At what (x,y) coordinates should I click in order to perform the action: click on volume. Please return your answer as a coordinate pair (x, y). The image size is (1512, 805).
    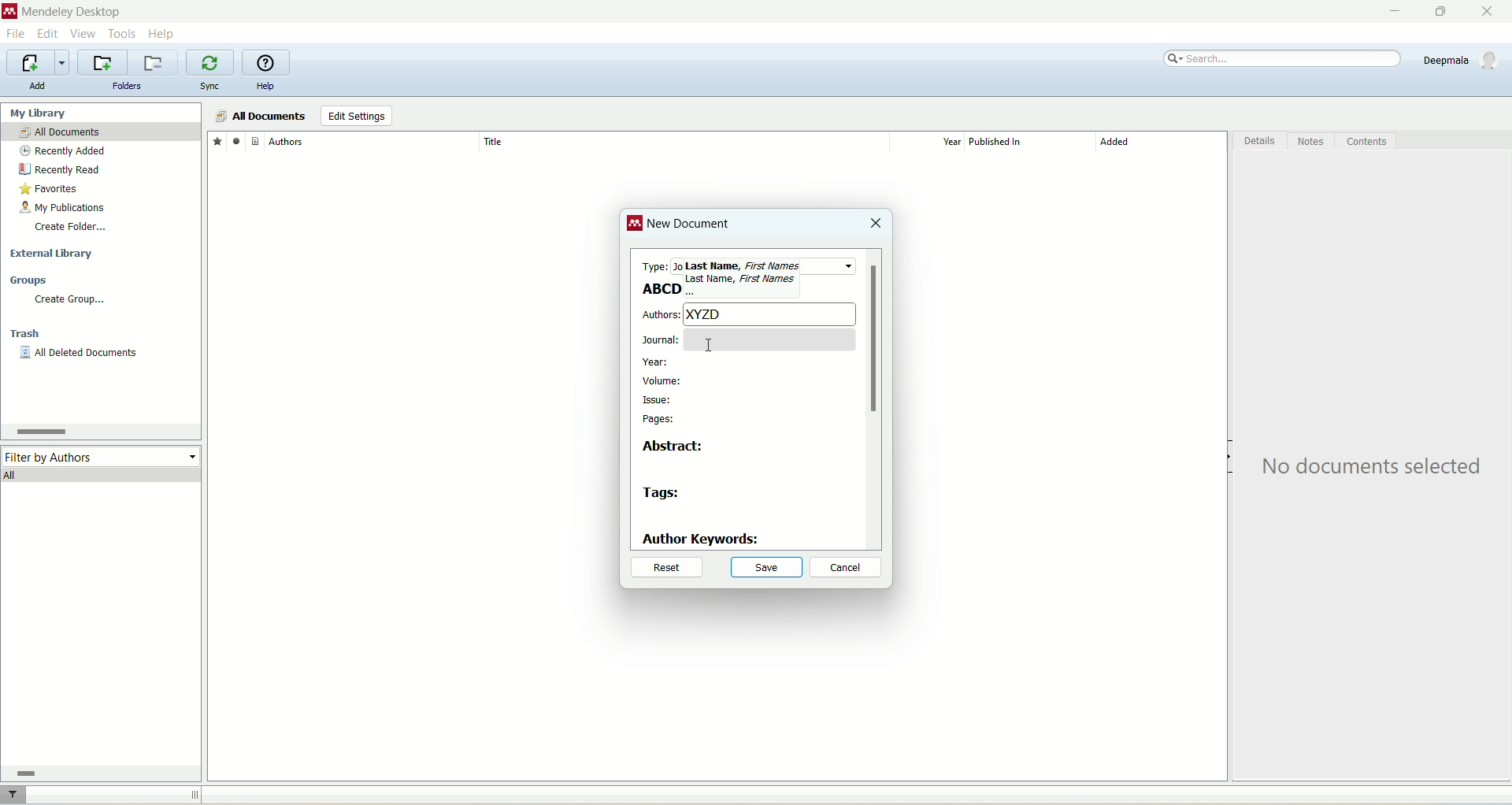
    Looking at the image, I should click on (667, 380).